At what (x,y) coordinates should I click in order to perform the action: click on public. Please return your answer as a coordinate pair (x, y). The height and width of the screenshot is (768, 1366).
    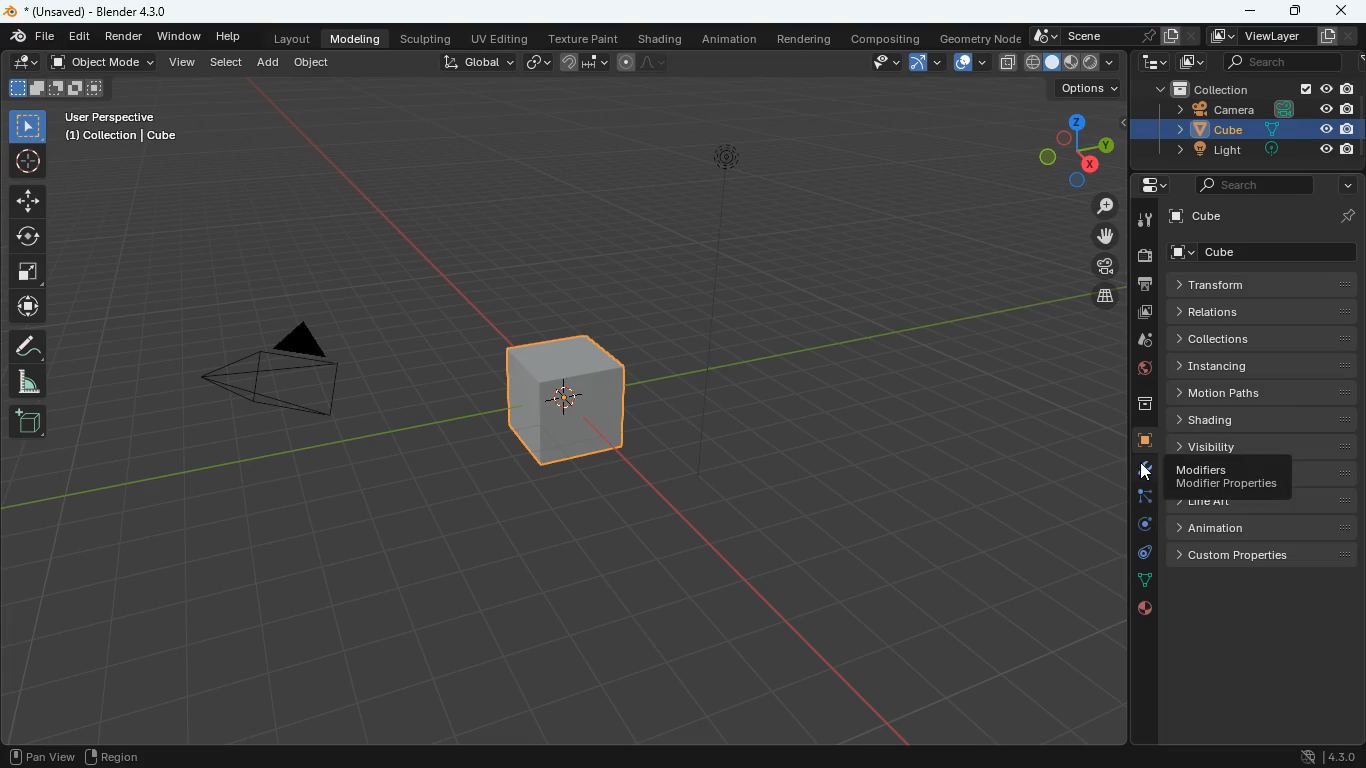
    Looking at the image, I should click on (1138, 370).